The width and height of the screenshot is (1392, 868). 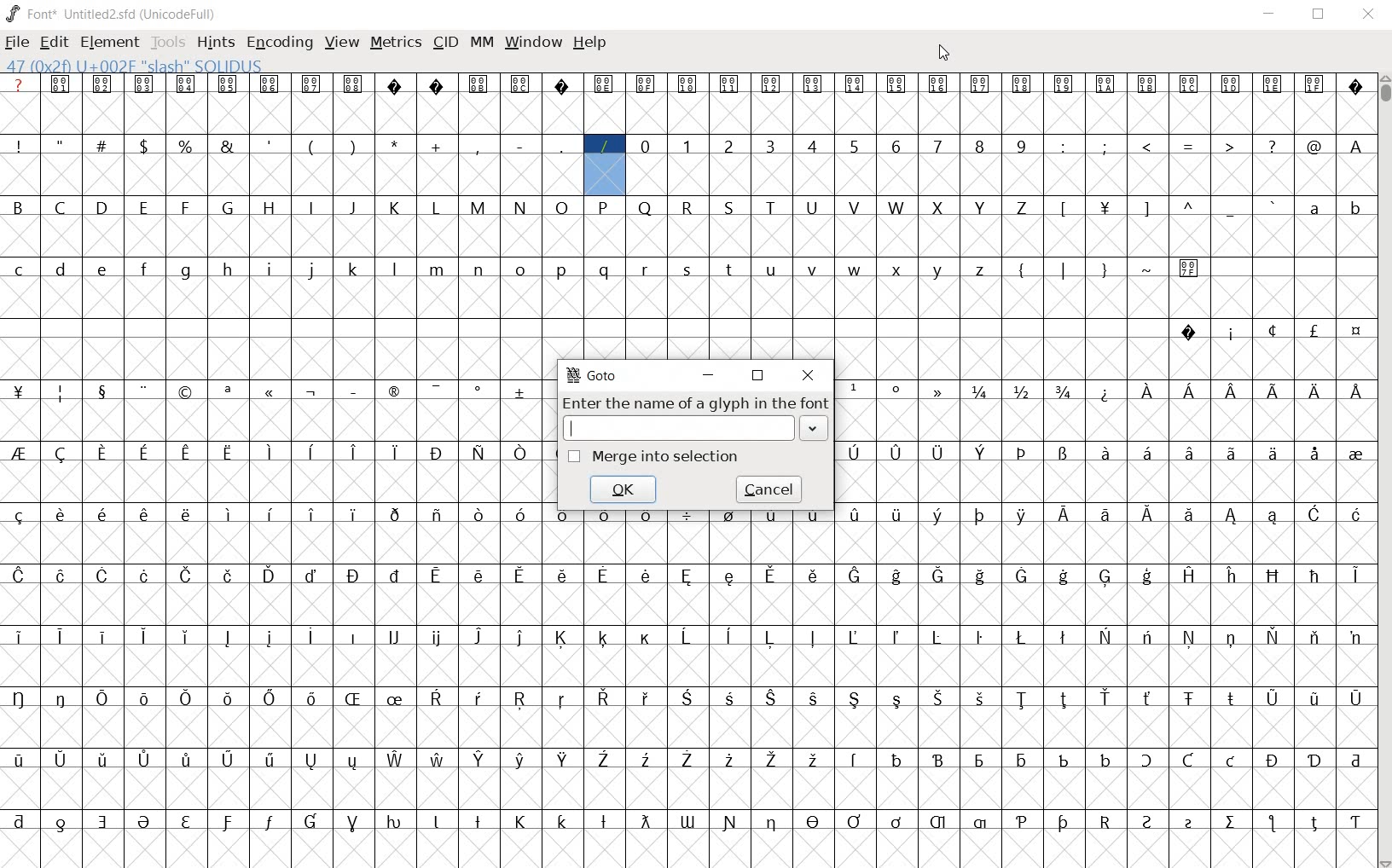 I want to click on glyph, so click(x=1106, y=84).